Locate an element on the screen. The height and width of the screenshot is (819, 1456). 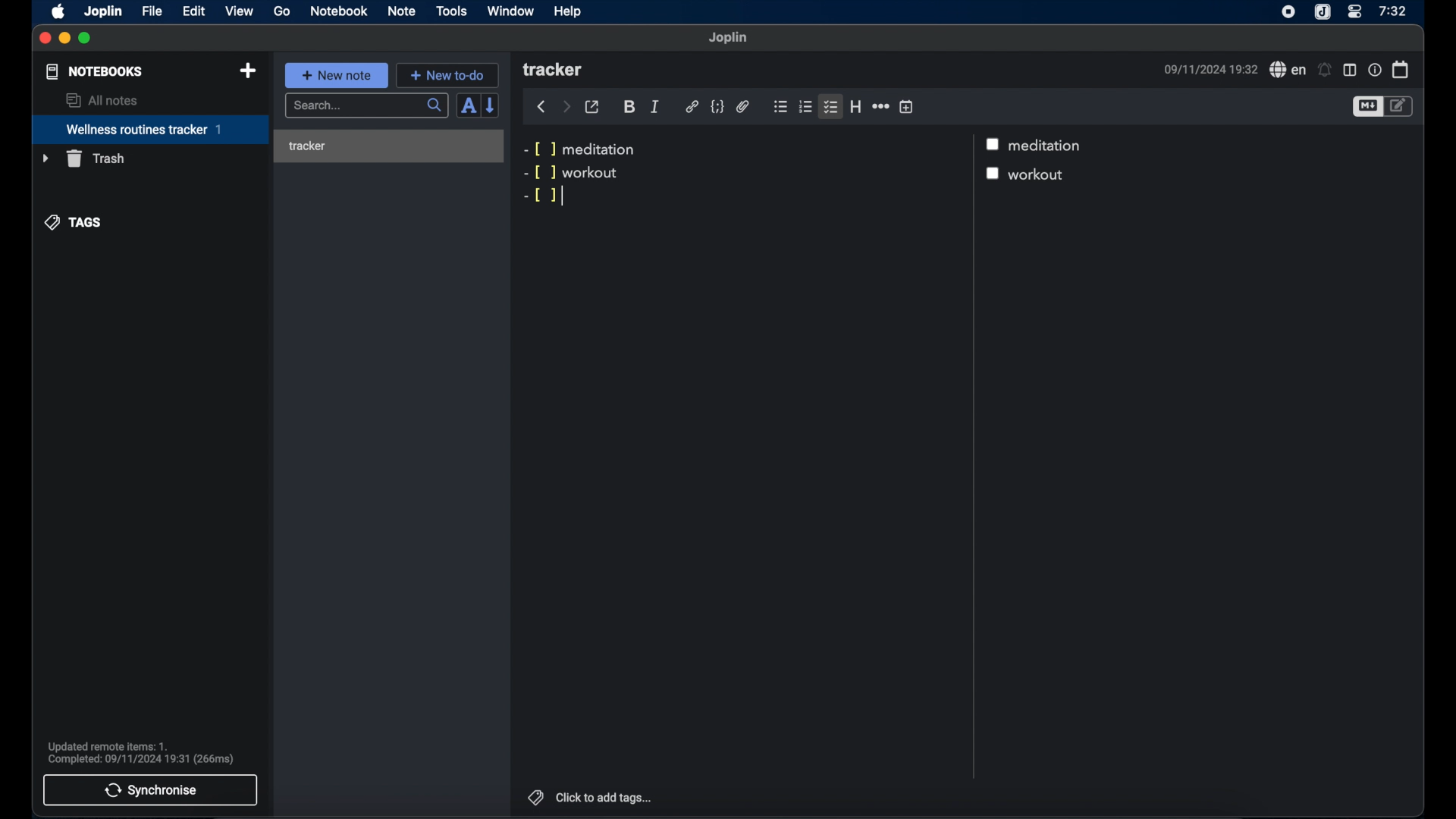
calendar is located at coordinates (1401, 69).